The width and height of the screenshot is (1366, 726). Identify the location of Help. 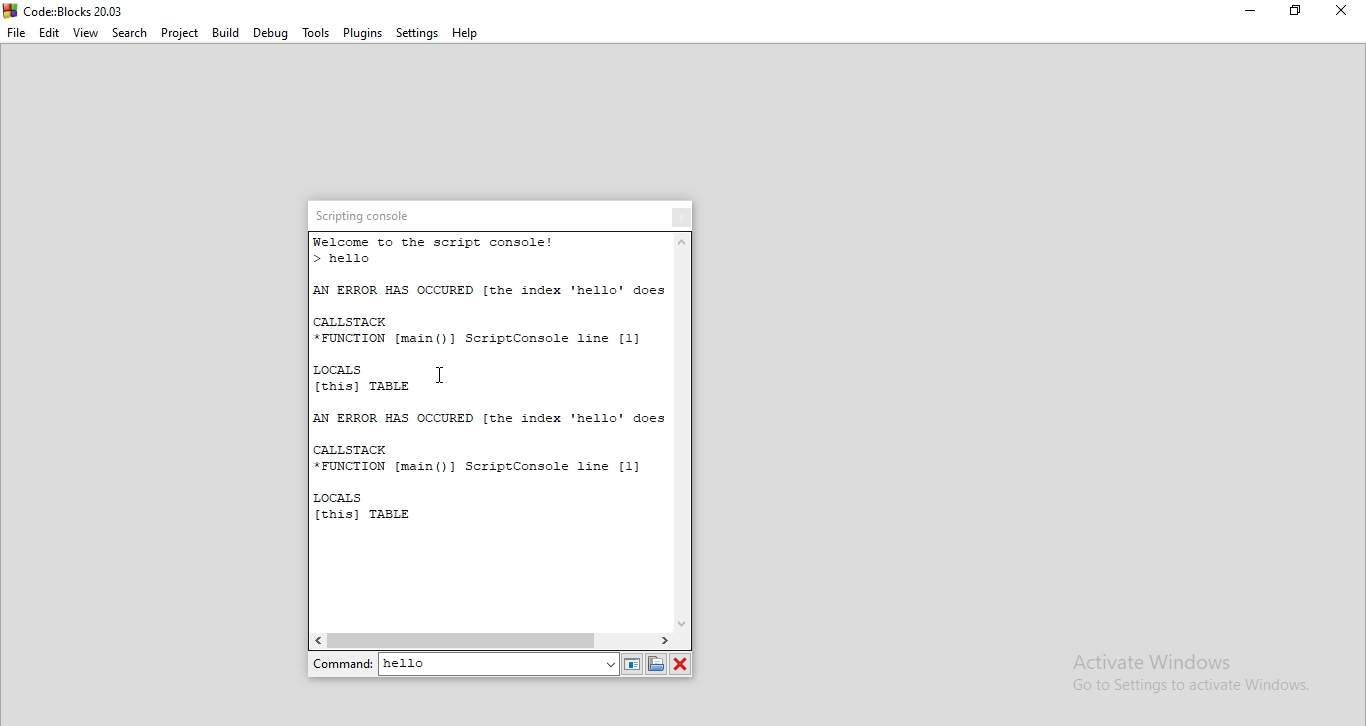
(464, 32).